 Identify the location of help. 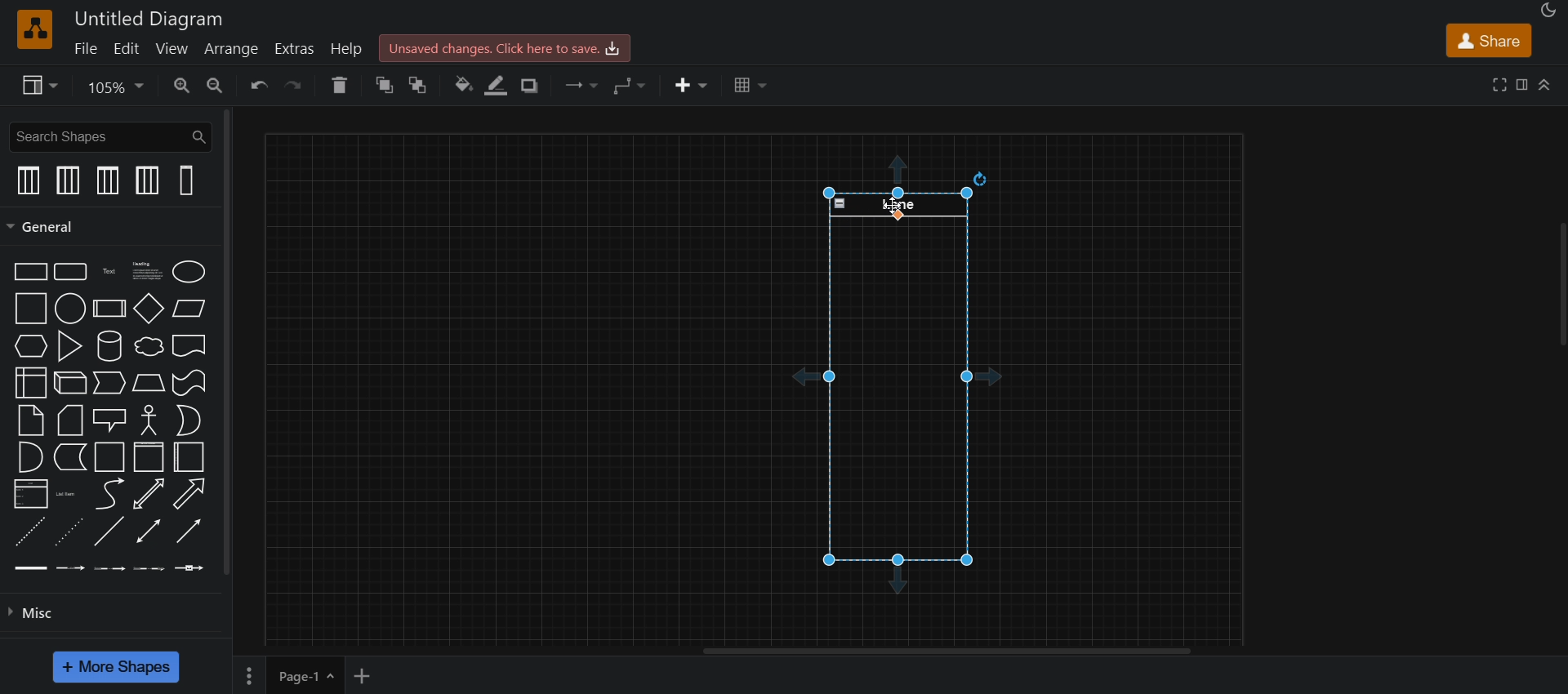
(348, 46).